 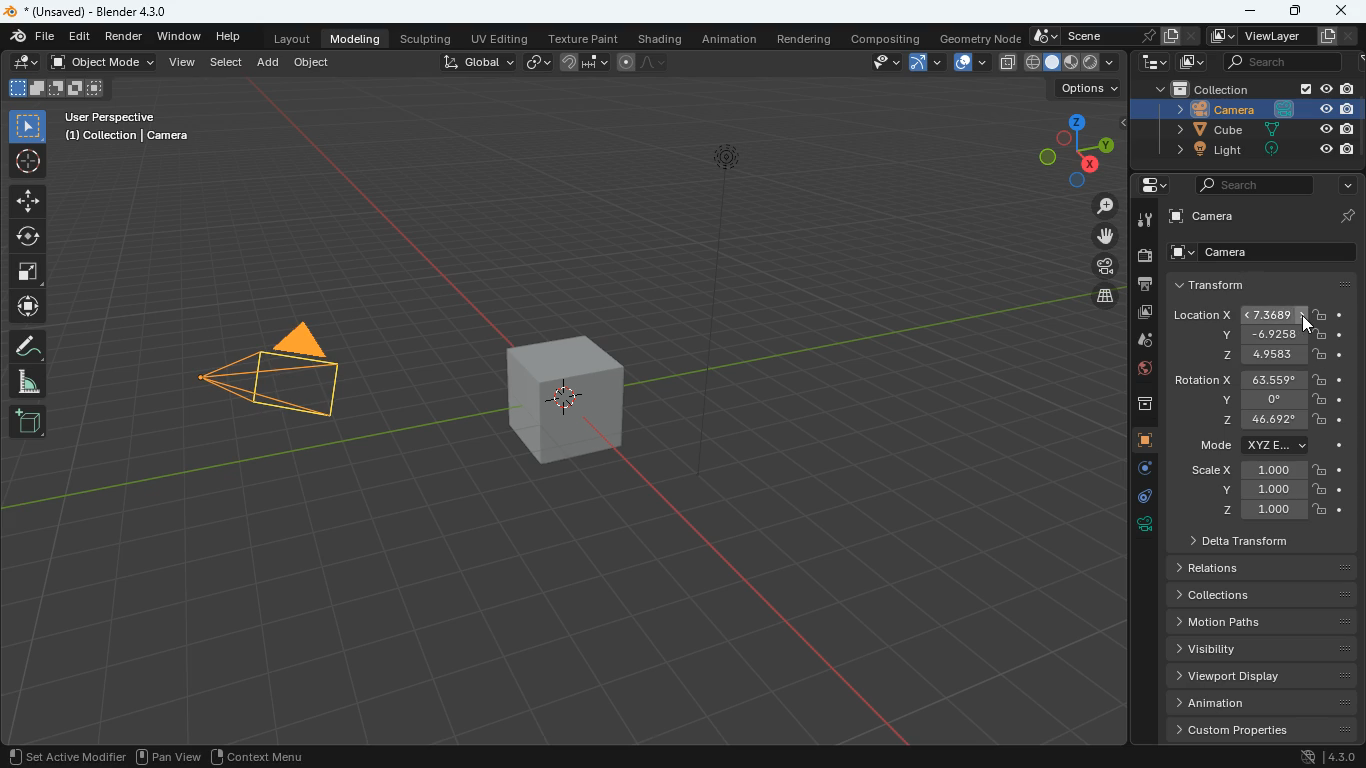 What do you see at coordinates (1260, 622) in the screenshot?
I see `Motion paths` at bounding box center [1260, 622].